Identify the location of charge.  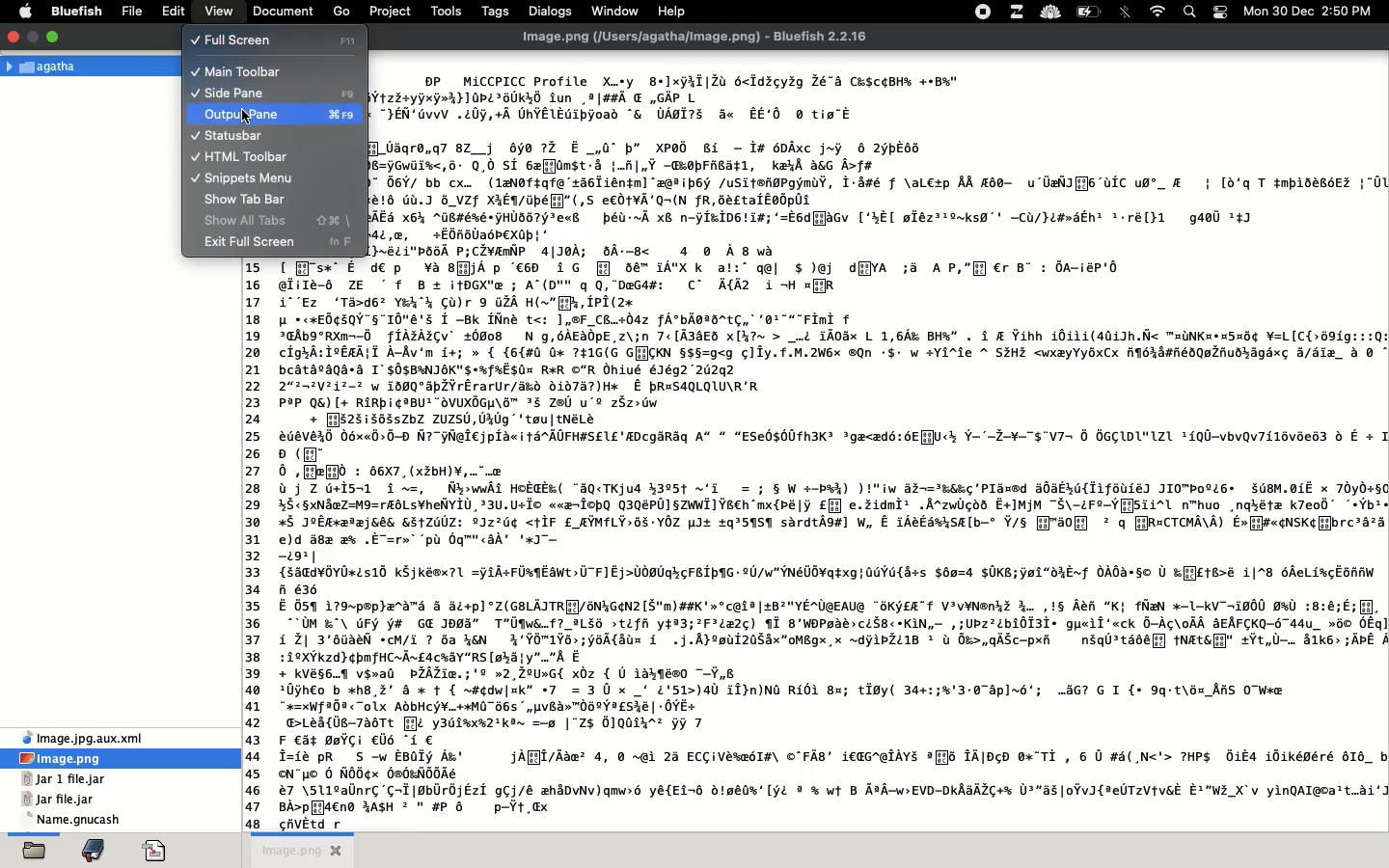
(1089, 12).